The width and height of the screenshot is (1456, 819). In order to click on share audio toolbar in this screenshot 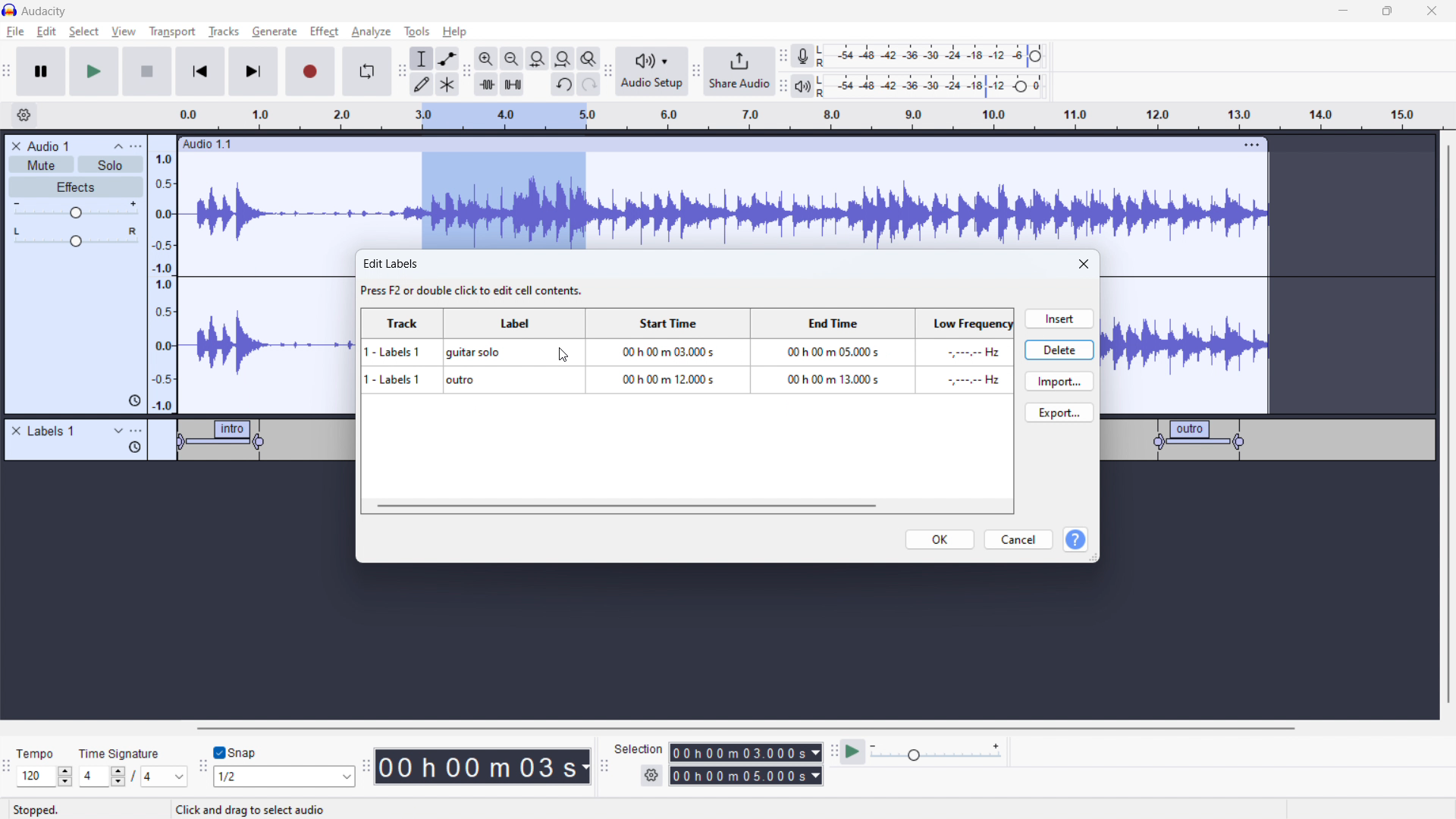, I will do `click(696, 73)`.